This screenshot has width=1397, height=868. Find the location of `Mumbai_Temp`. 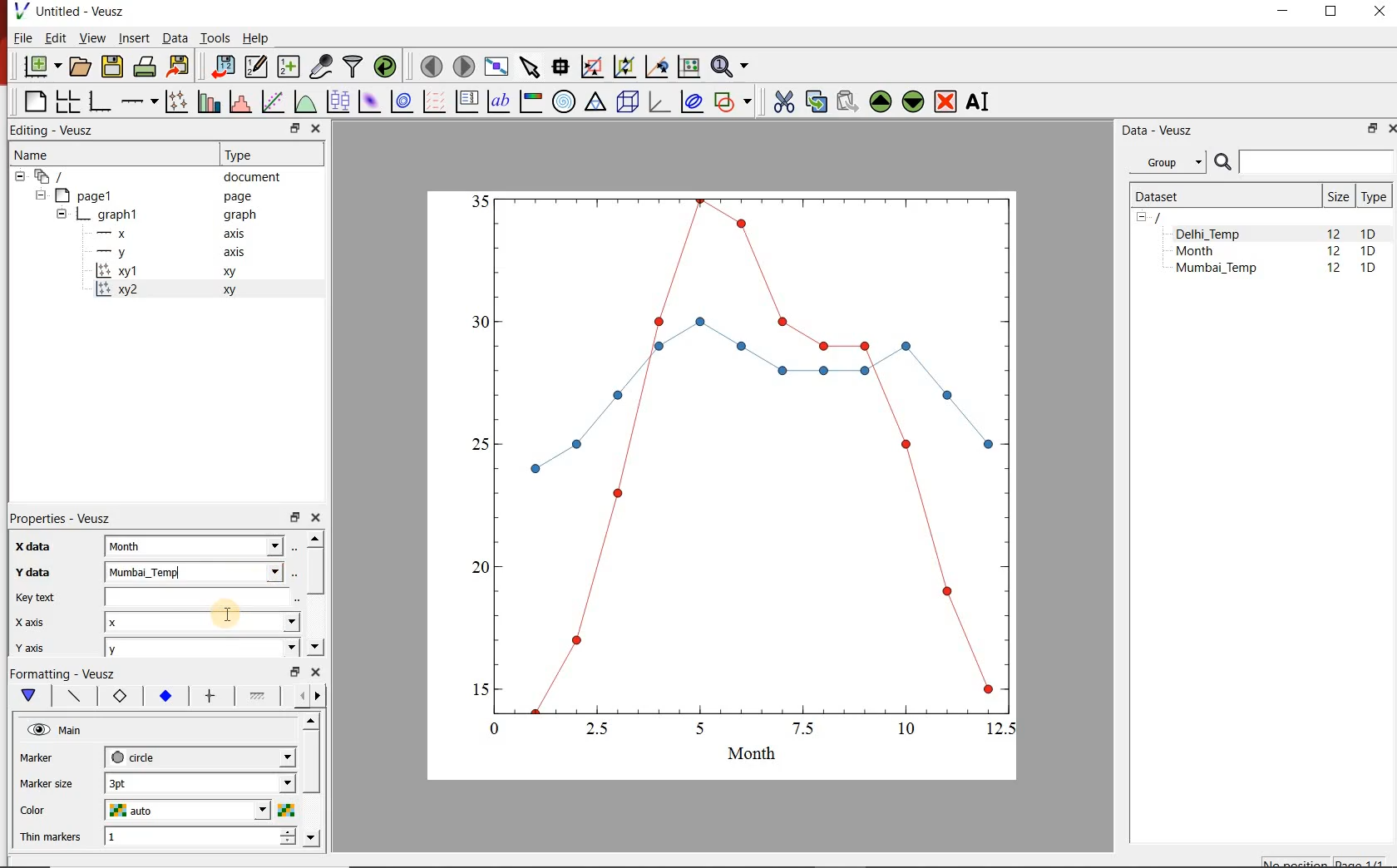

Mumbai_Temp is located at coordinates (203, 570).